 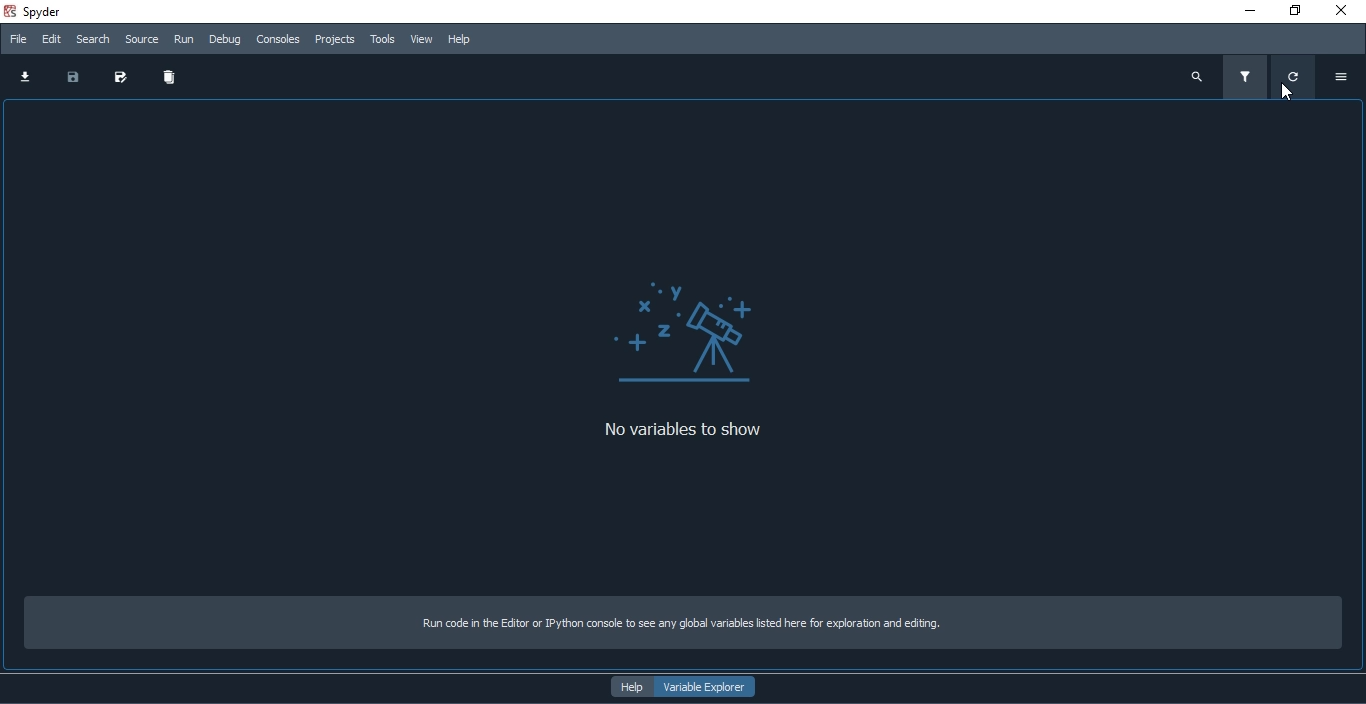 I want to click on search, so click(x=1198, y=76).